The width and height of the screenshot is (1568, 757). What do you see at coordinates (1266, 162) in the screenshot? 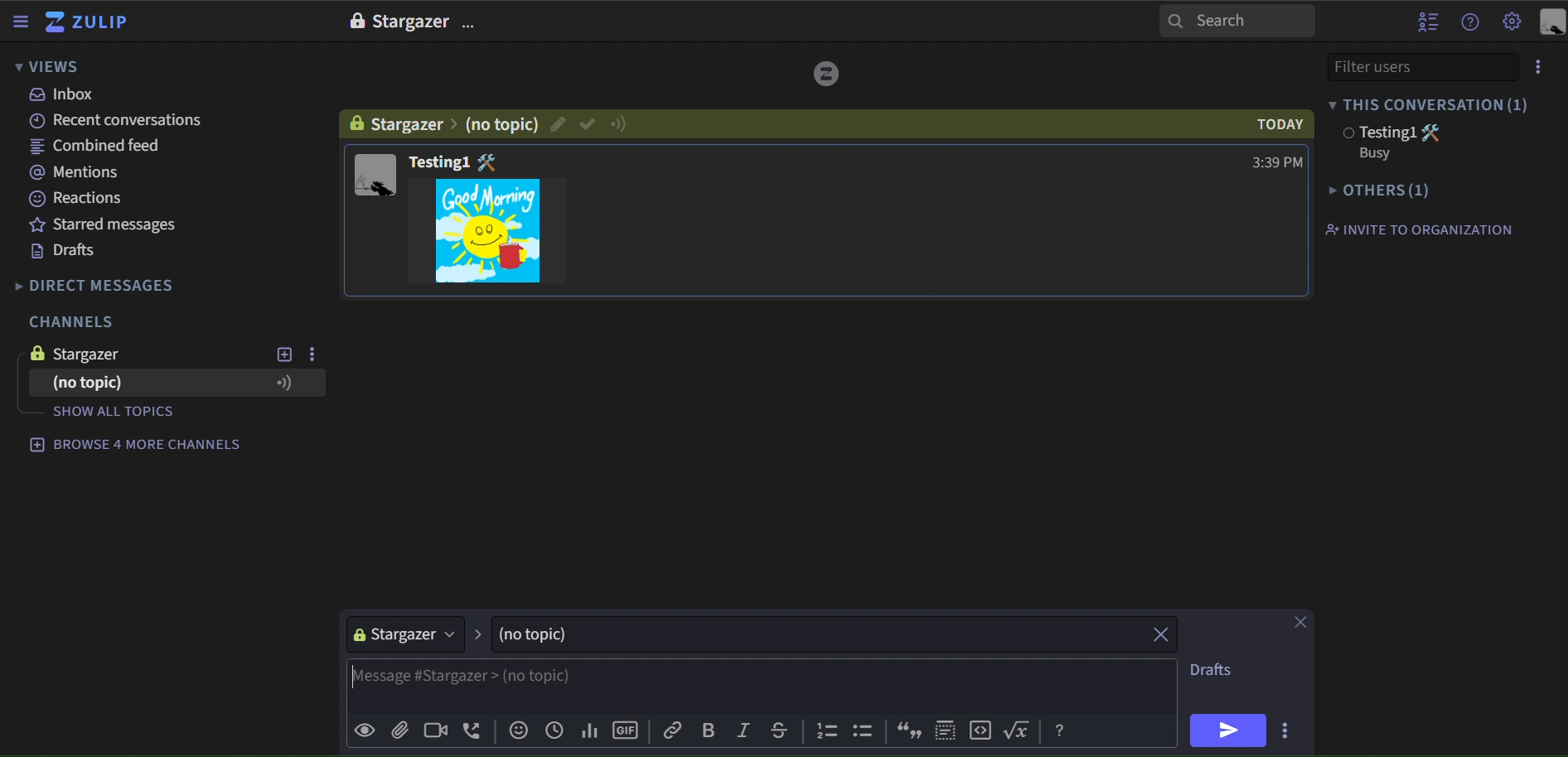
I see `3:39 PM` at bounding box center [1266, 162].